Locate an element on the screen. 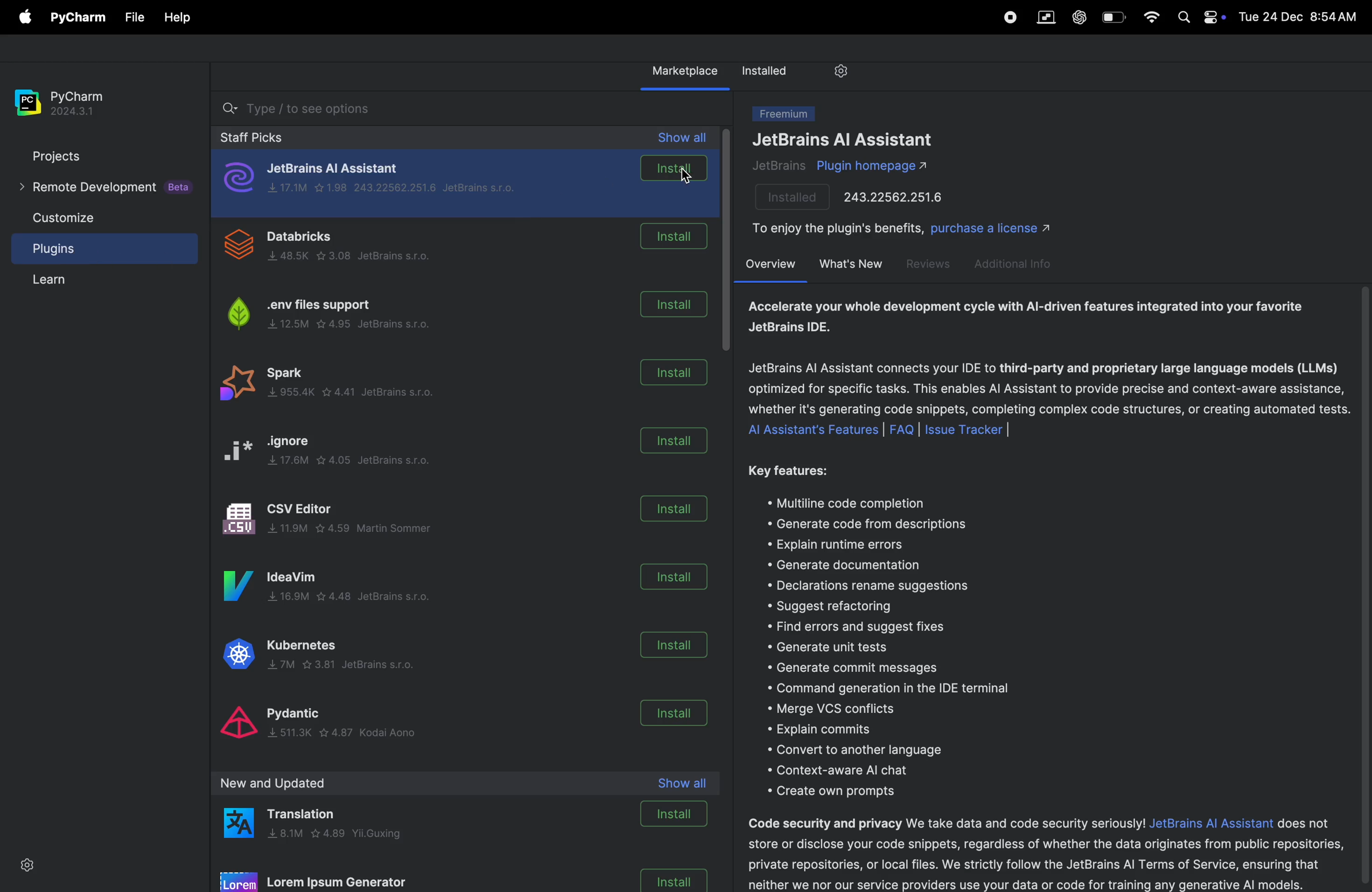  additional info is located at coordinates (1020, 261).